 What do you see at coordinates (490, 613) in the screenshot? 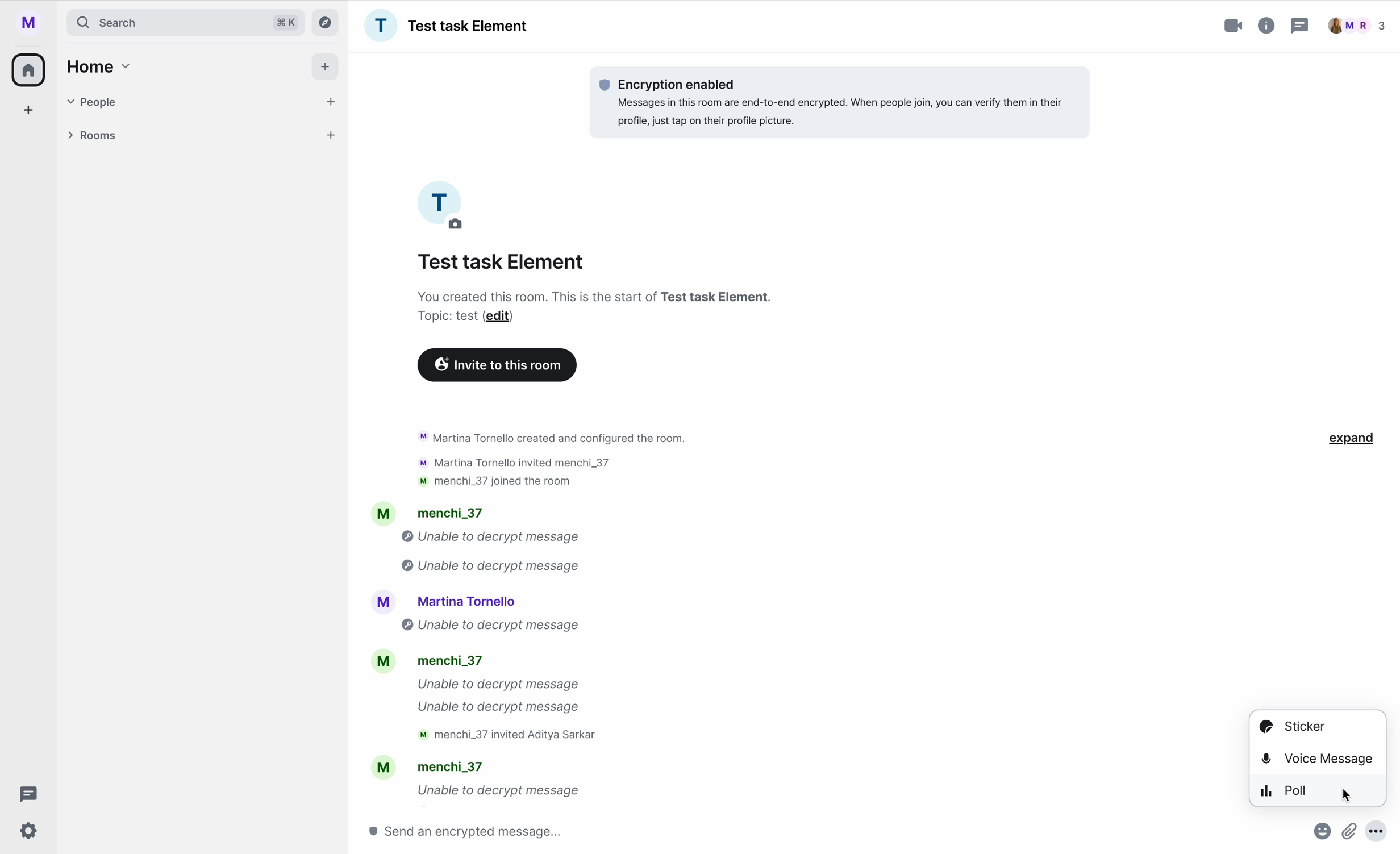
I see `M Martina Tornello Unable to decrypt message` at bounding box center [490, 613].